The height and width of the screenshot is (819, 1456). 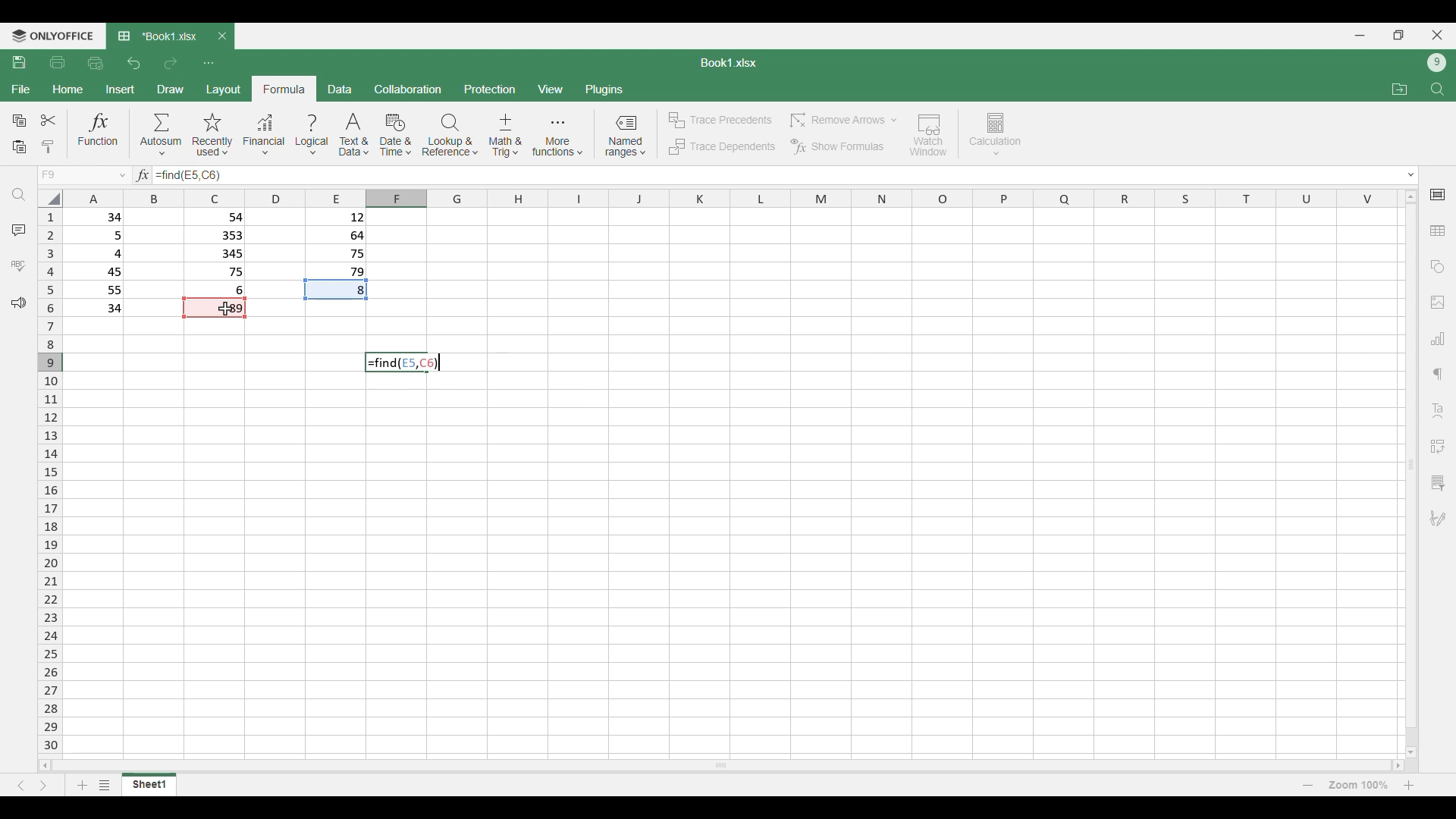 What do you see at coordinates (162, 133) in the screenshot?
I see `Autosum` at bounding box center [162, 133].